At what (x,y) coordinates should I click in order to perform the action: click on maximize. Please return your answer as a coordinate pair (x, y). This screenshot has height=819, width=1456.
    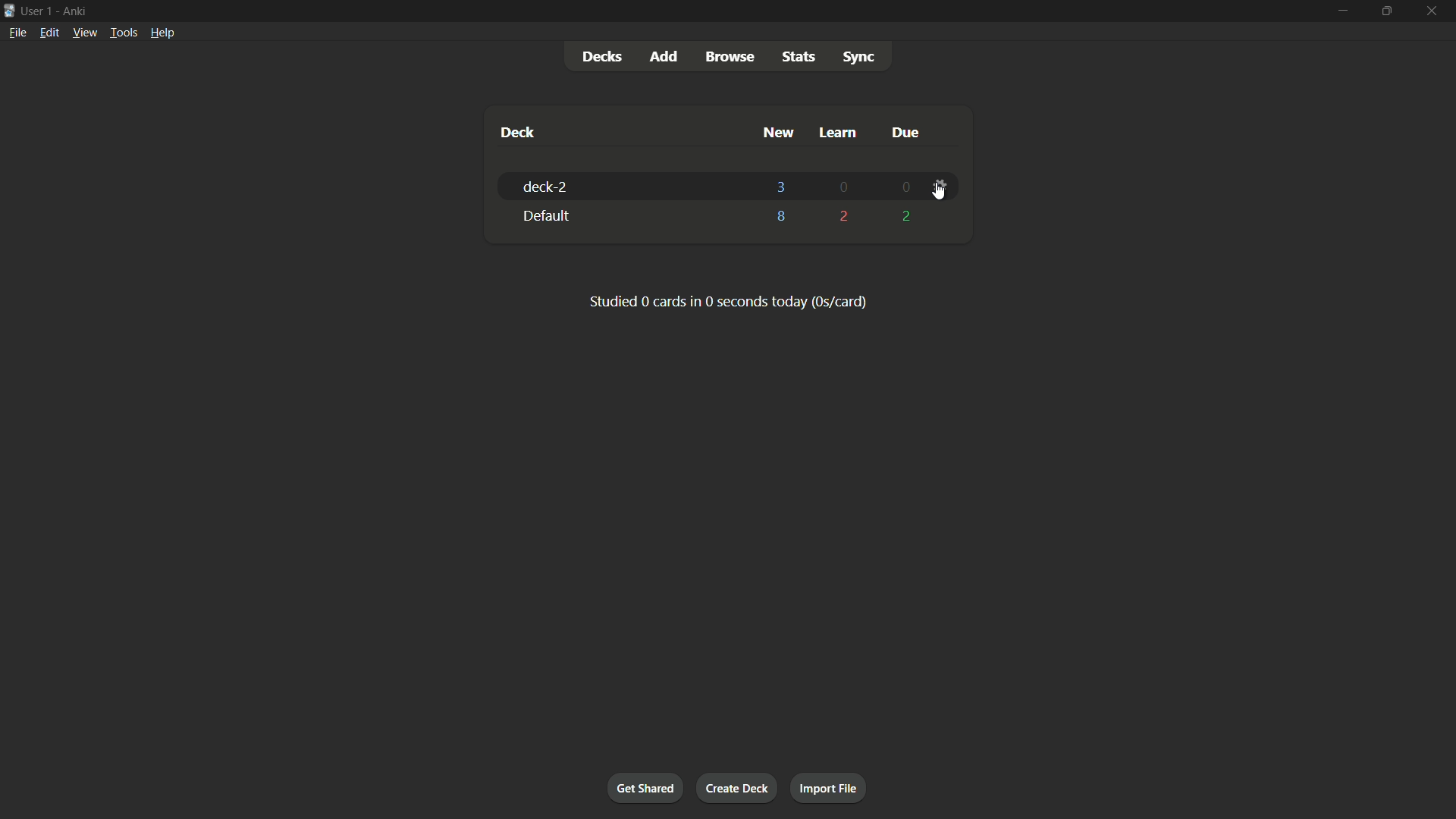
    Looking at the image, I should click on (1389, 9).